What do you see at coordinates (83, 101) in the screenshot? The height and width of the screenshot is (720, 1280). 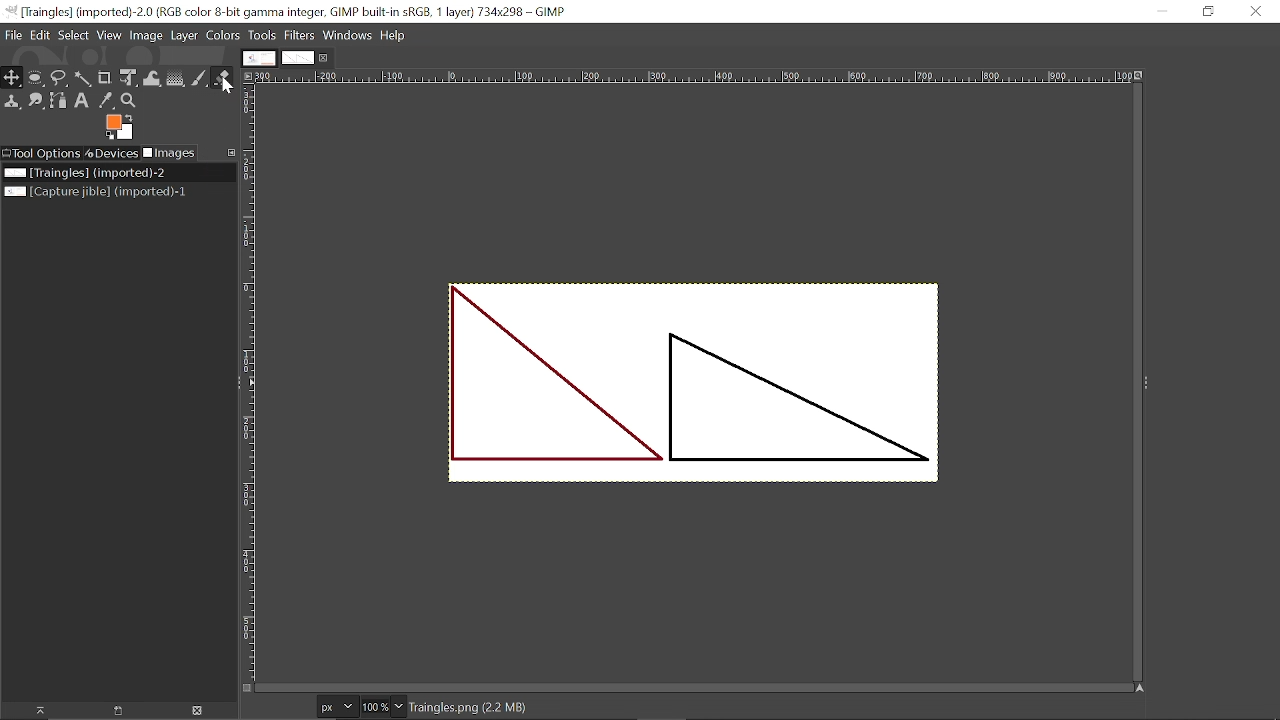 I see `Text tool` at bounding box center [83, 101].